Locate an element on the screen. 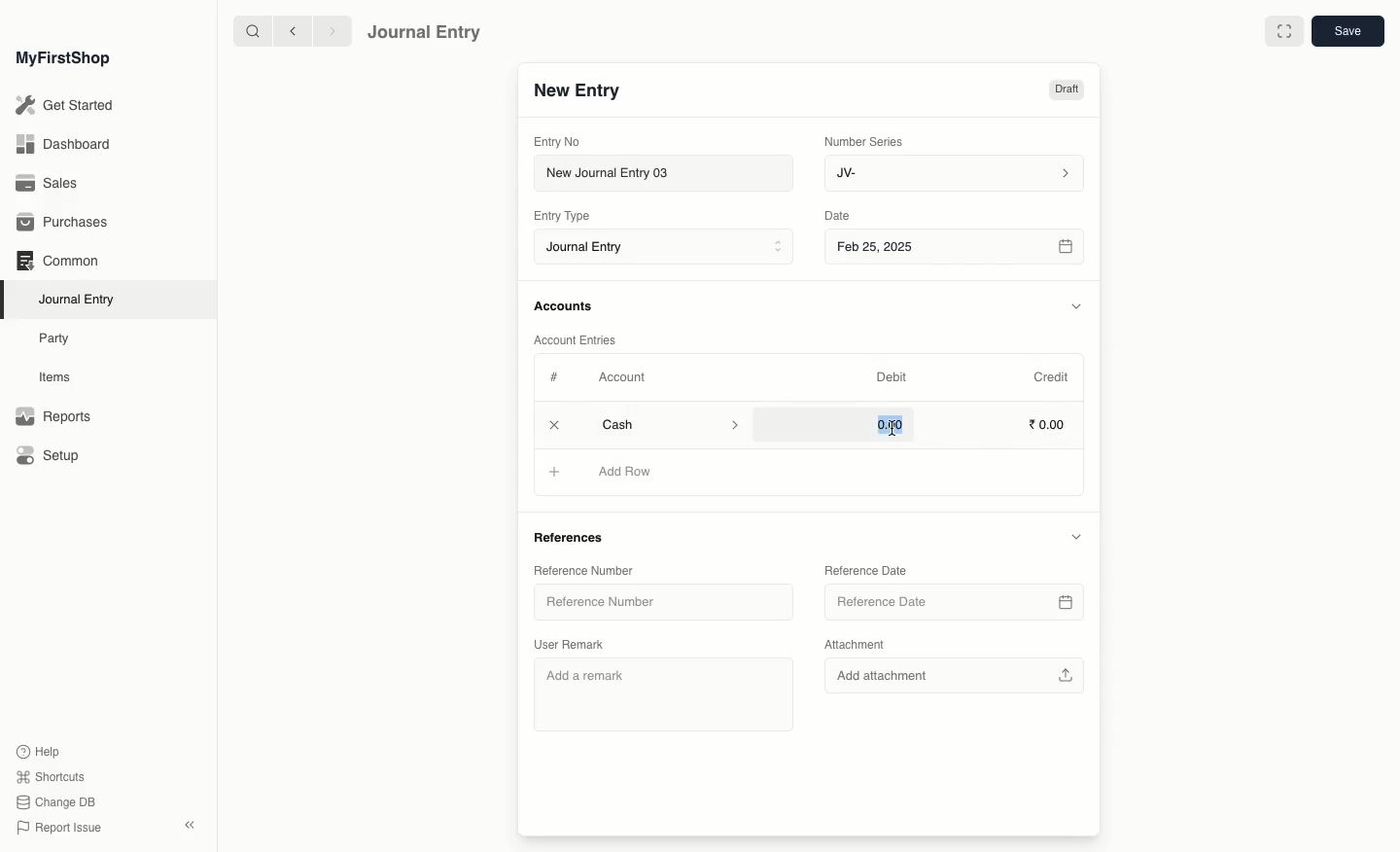  Change DB is located at coordinates (56, 803).